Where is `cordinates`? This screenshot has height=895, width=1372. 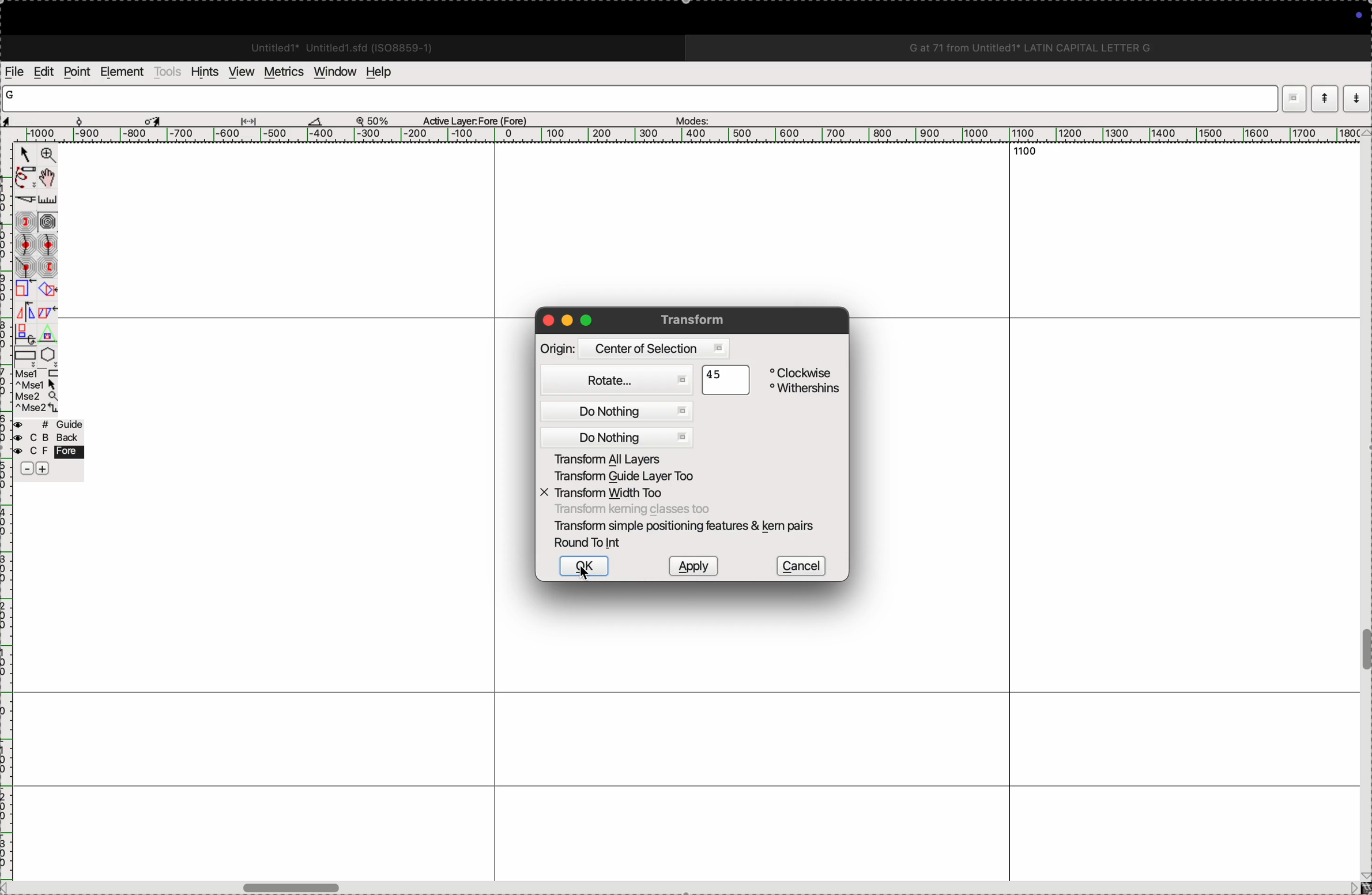
cordinates is located at coordinates (40, 119).